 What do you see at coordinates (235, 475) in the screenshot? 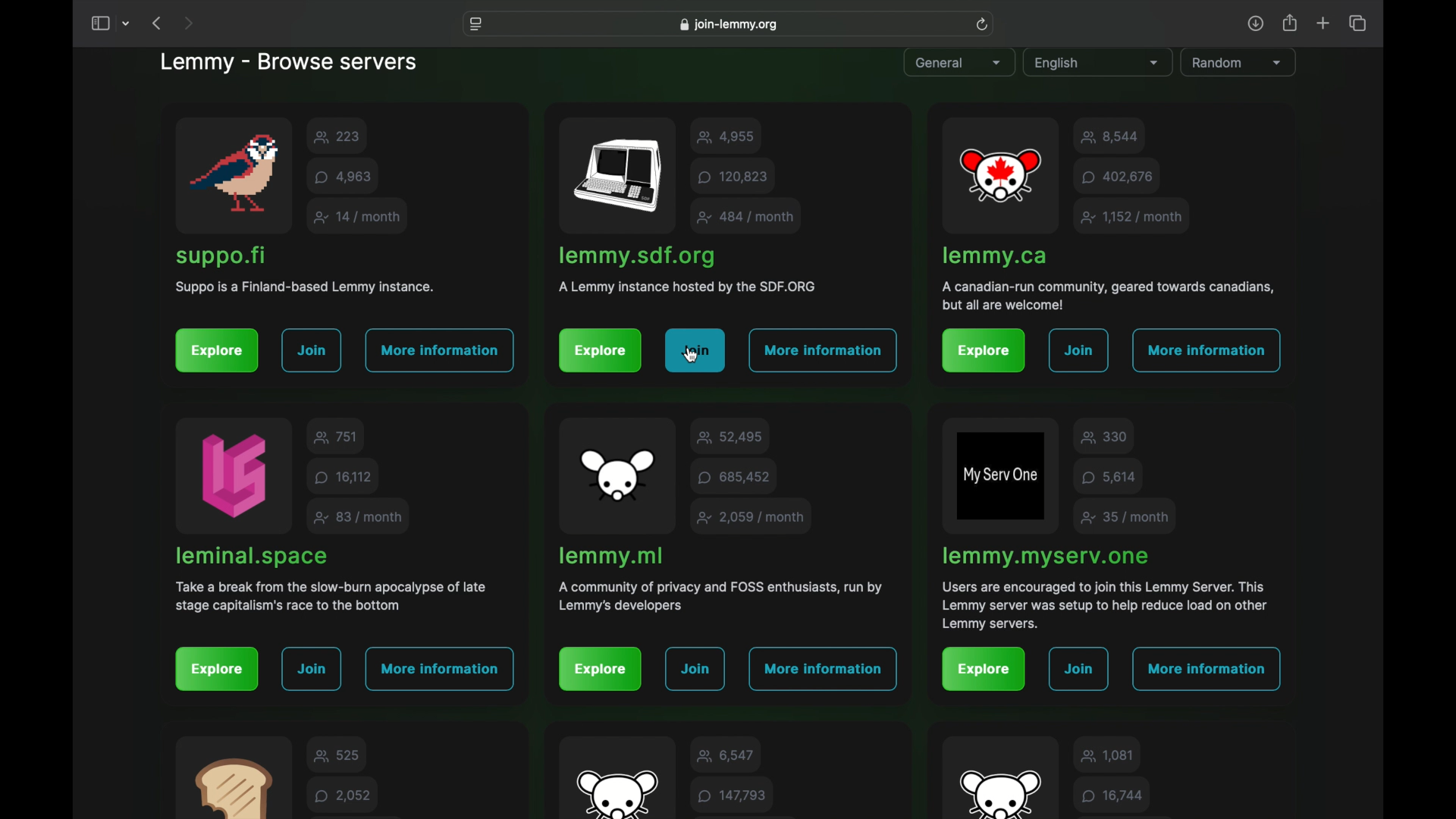
I see `server icon` at bounding box center [235, 475].